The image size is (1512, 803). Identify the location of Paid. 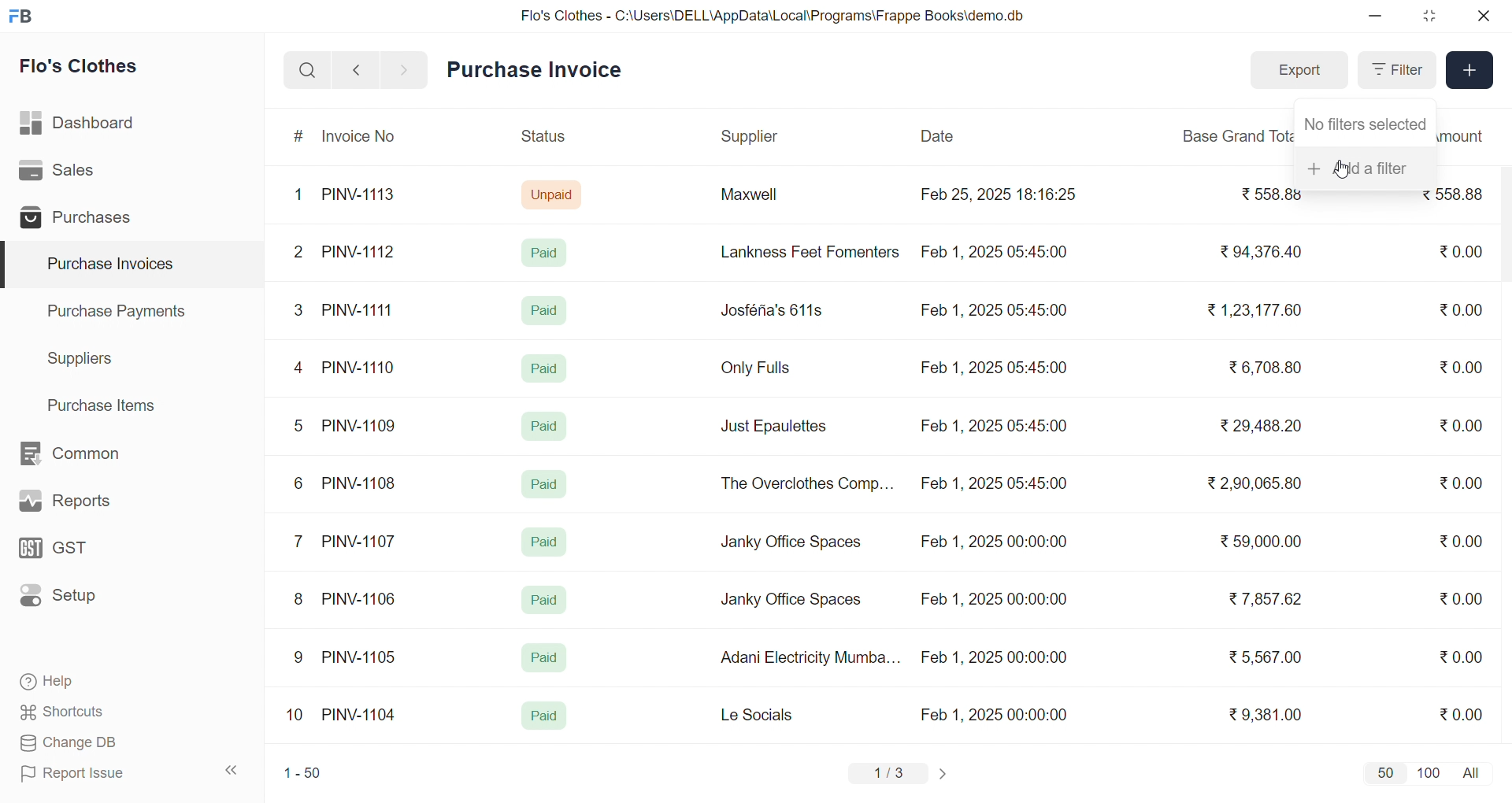
(547, 424).